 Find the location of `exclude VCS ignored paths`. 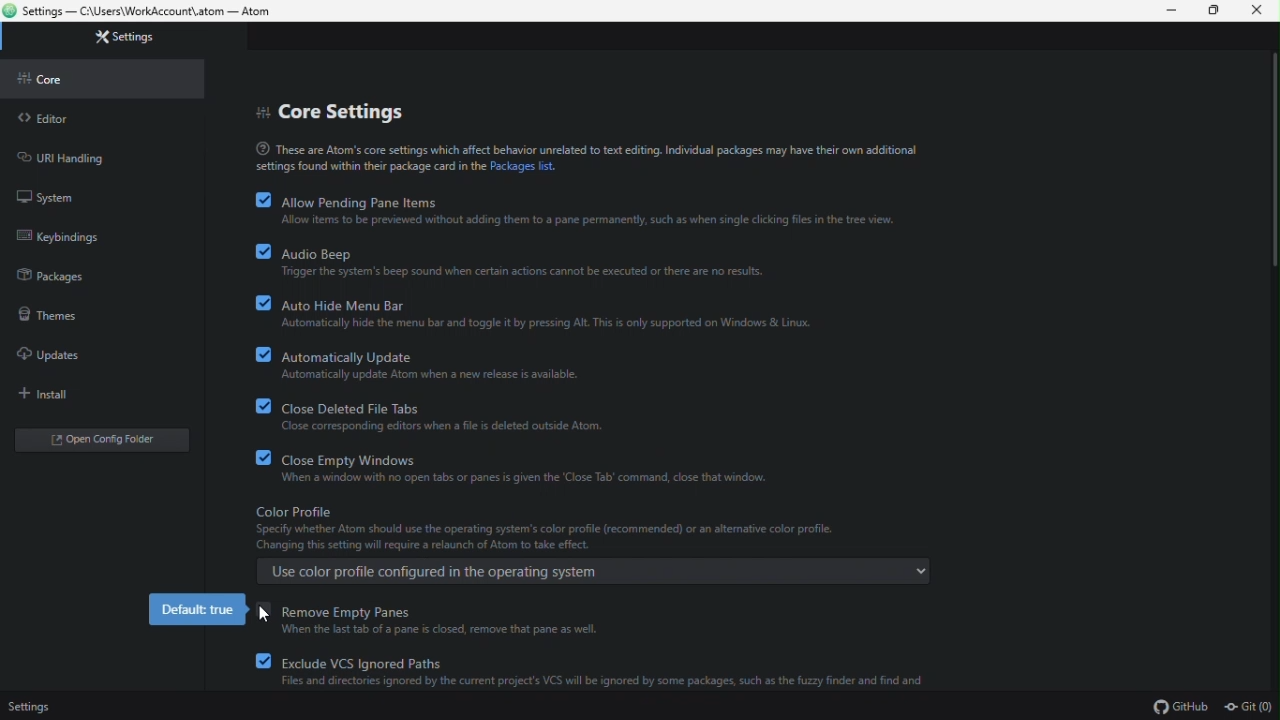

exclude VCS ignored paths is located at coordinates (608, 669).